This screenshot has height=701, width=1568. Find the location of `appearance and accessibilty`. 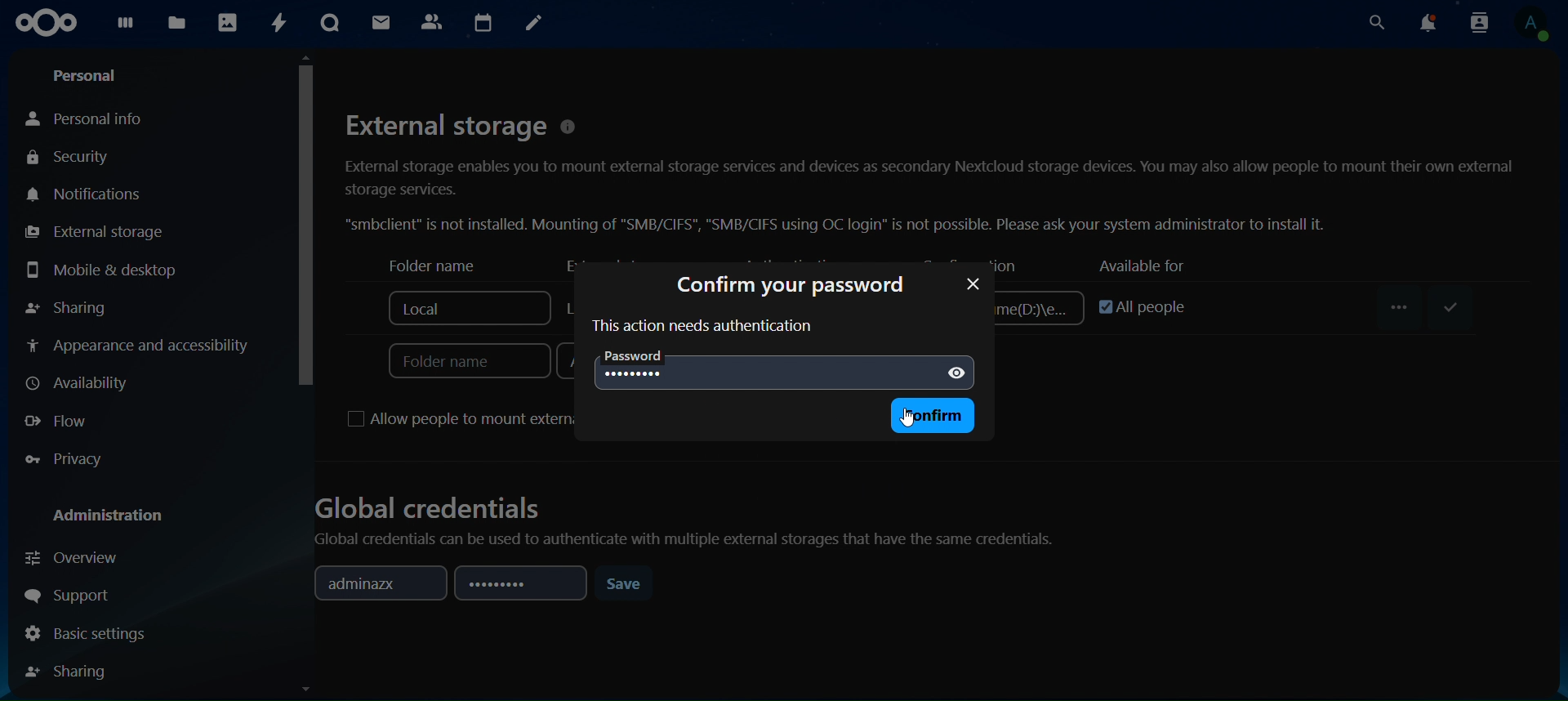

appearance and accessibilty is located at coordinates (143, 346).